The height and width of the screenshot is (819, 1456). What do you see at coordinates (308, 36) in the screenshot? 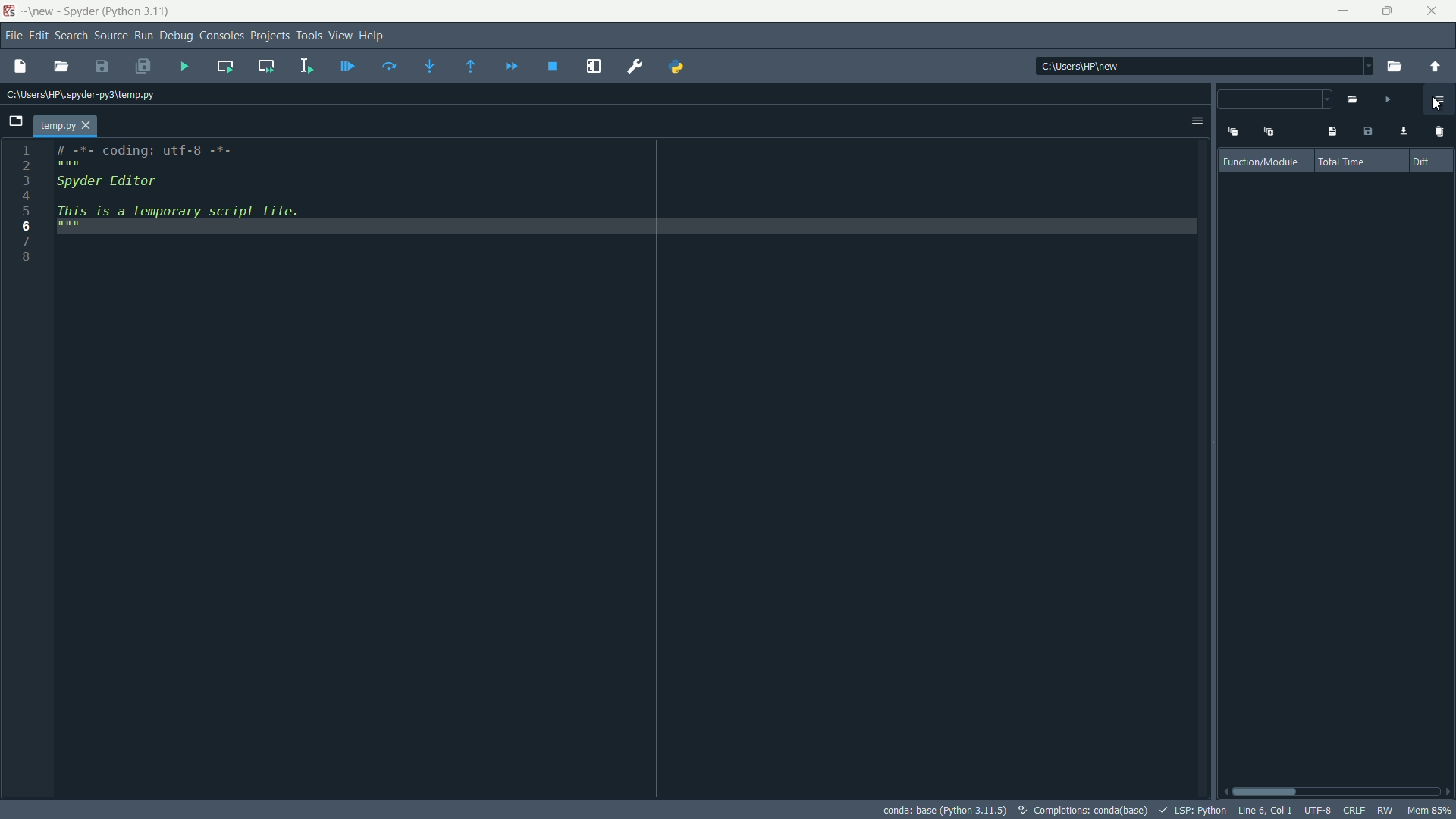
I see `tools menu` at bounding box center [308, 36].